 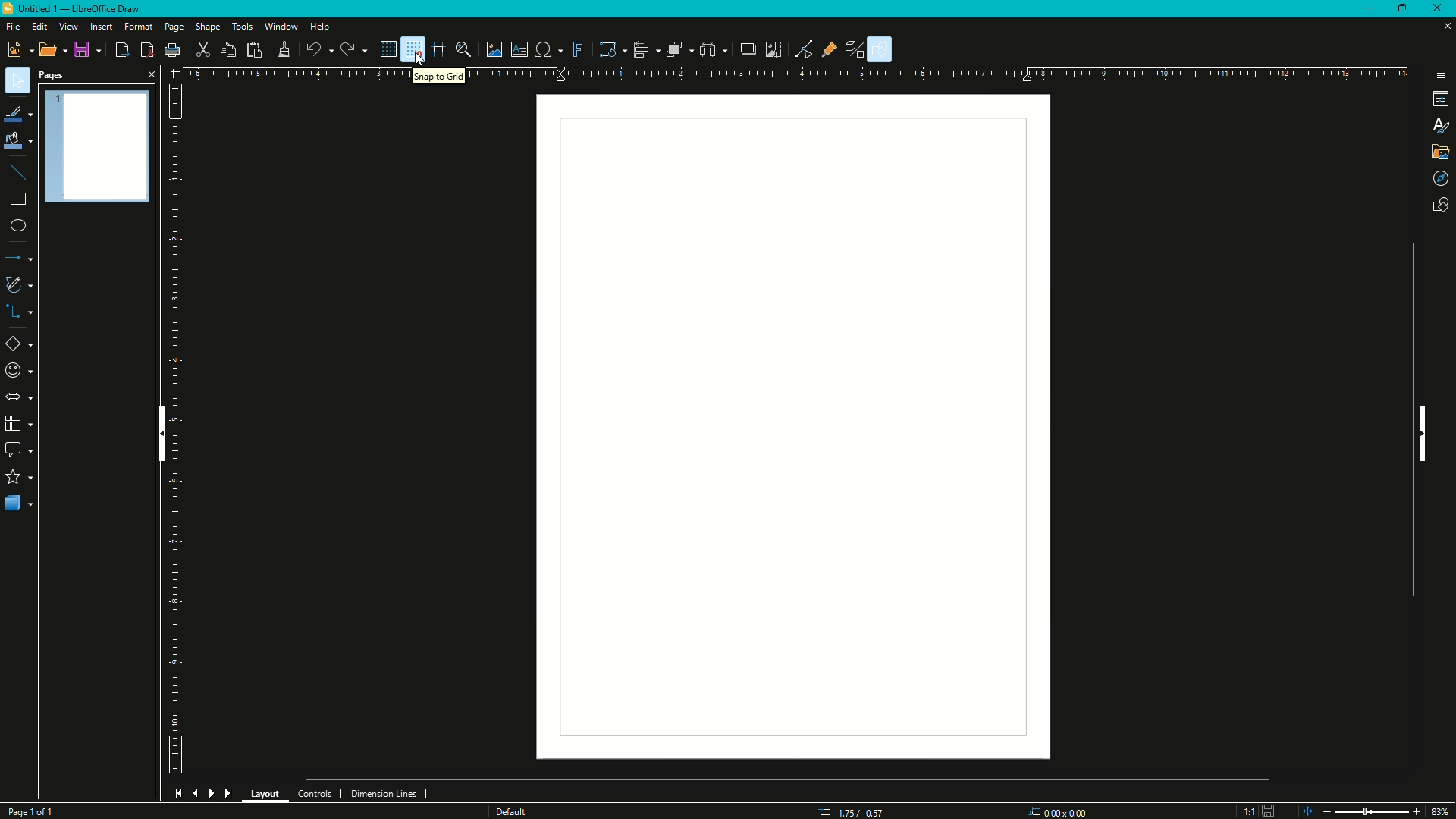 What do you see at coordinates (23, 477) in the screenshot?
I see `Stars and banners` at bounding box center [23, 477].